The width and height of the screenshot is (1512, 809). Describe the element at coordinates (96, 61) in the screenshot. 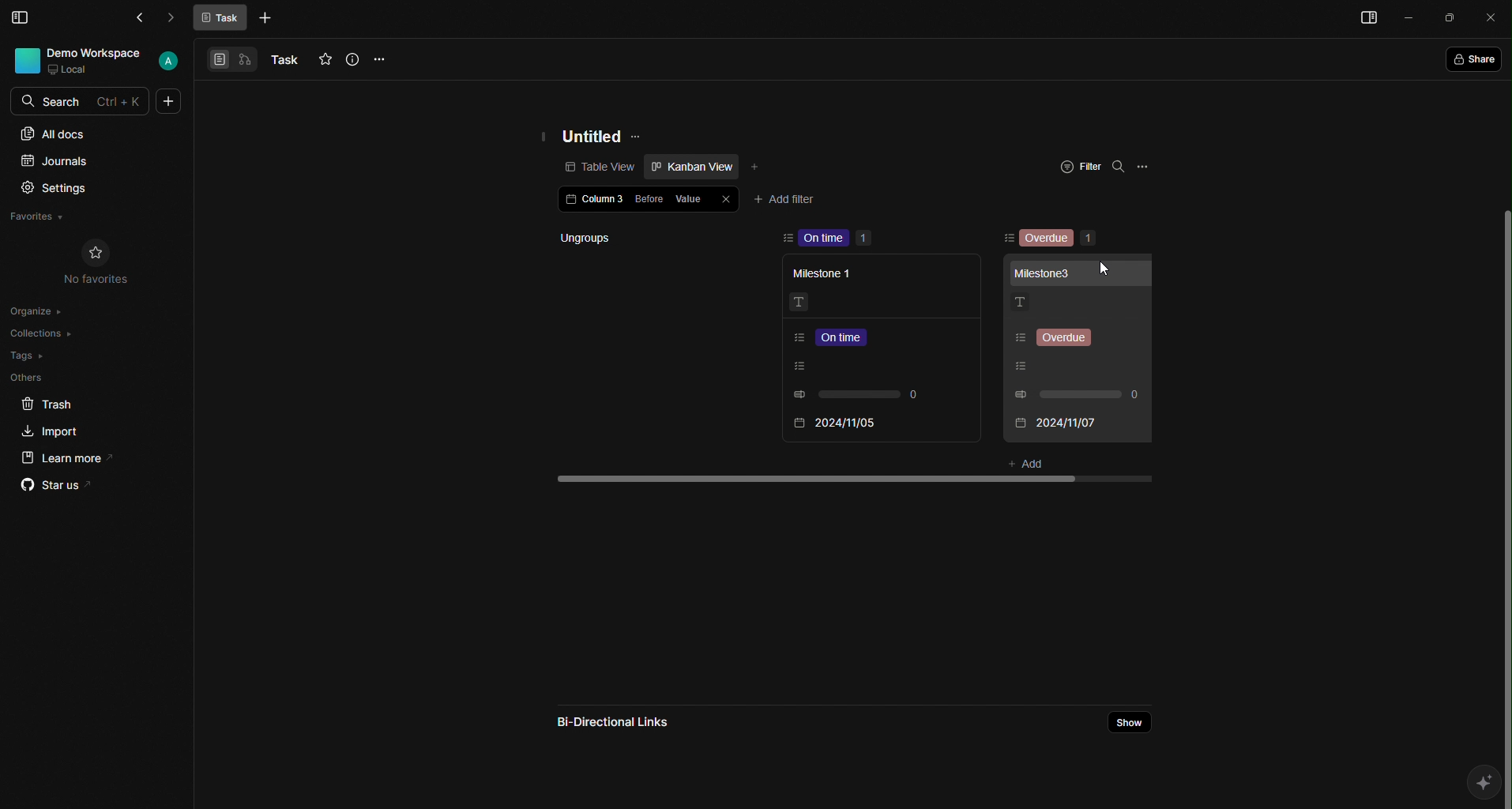

I see `User` at that location.